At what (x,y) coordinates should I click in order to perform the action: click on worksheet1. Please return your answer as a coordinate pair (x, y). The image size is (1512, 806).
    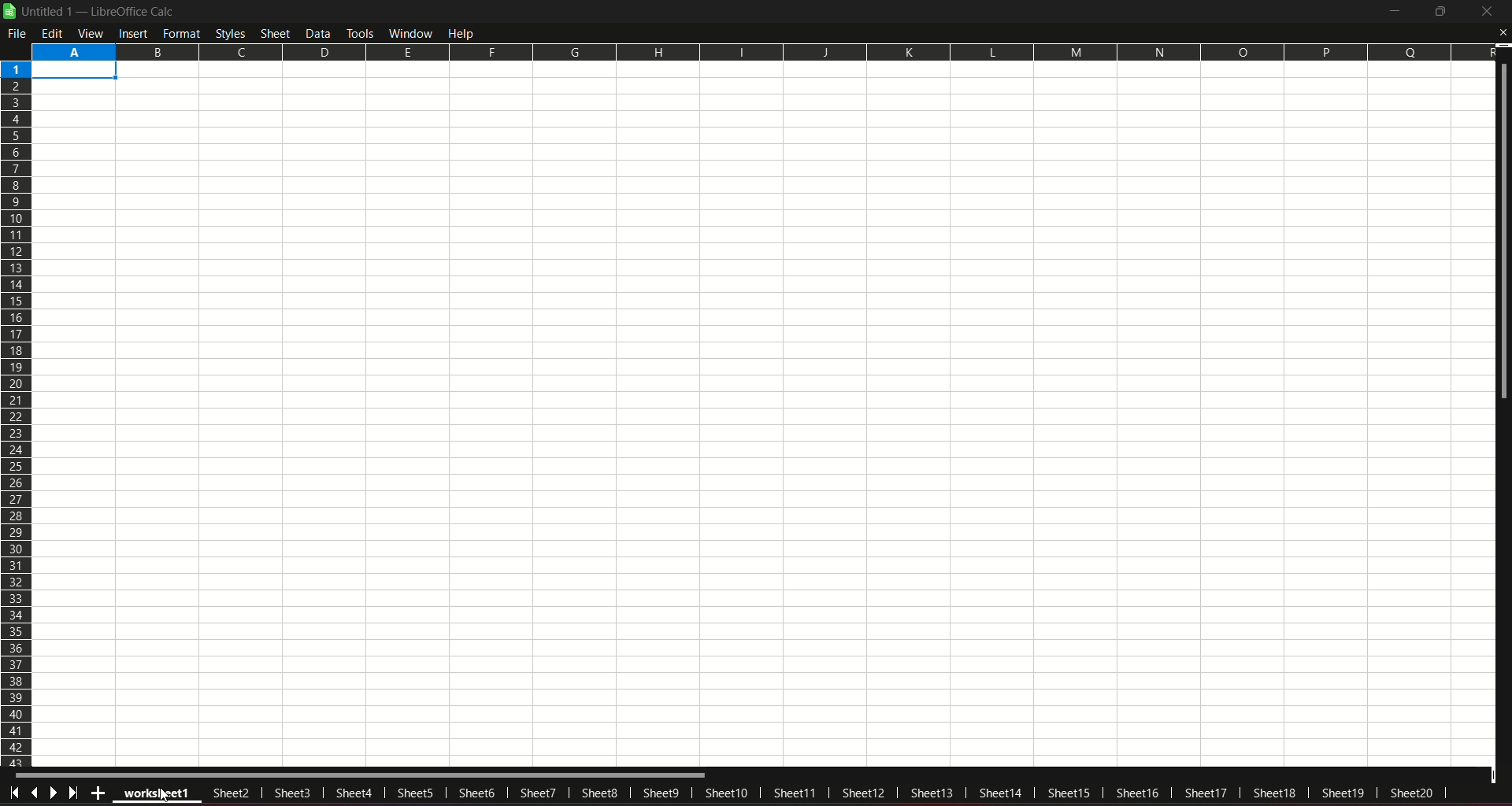
    Looking at the image, I should click on (158, 795).